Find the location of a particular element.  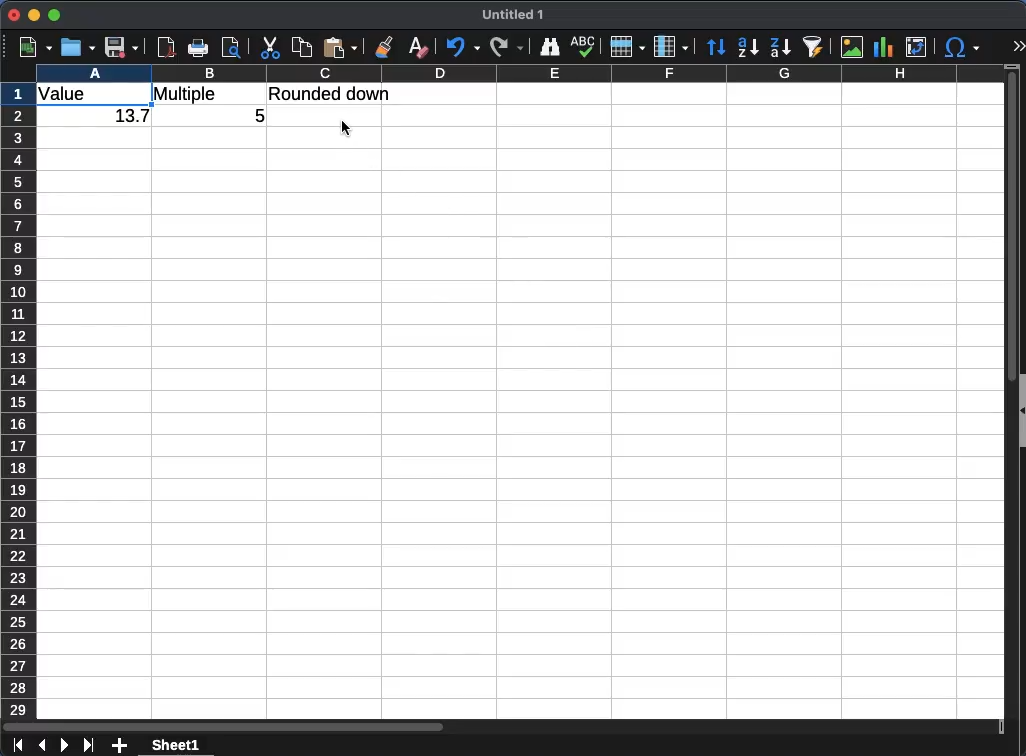

scroll is located at coordinates (1003, 400).